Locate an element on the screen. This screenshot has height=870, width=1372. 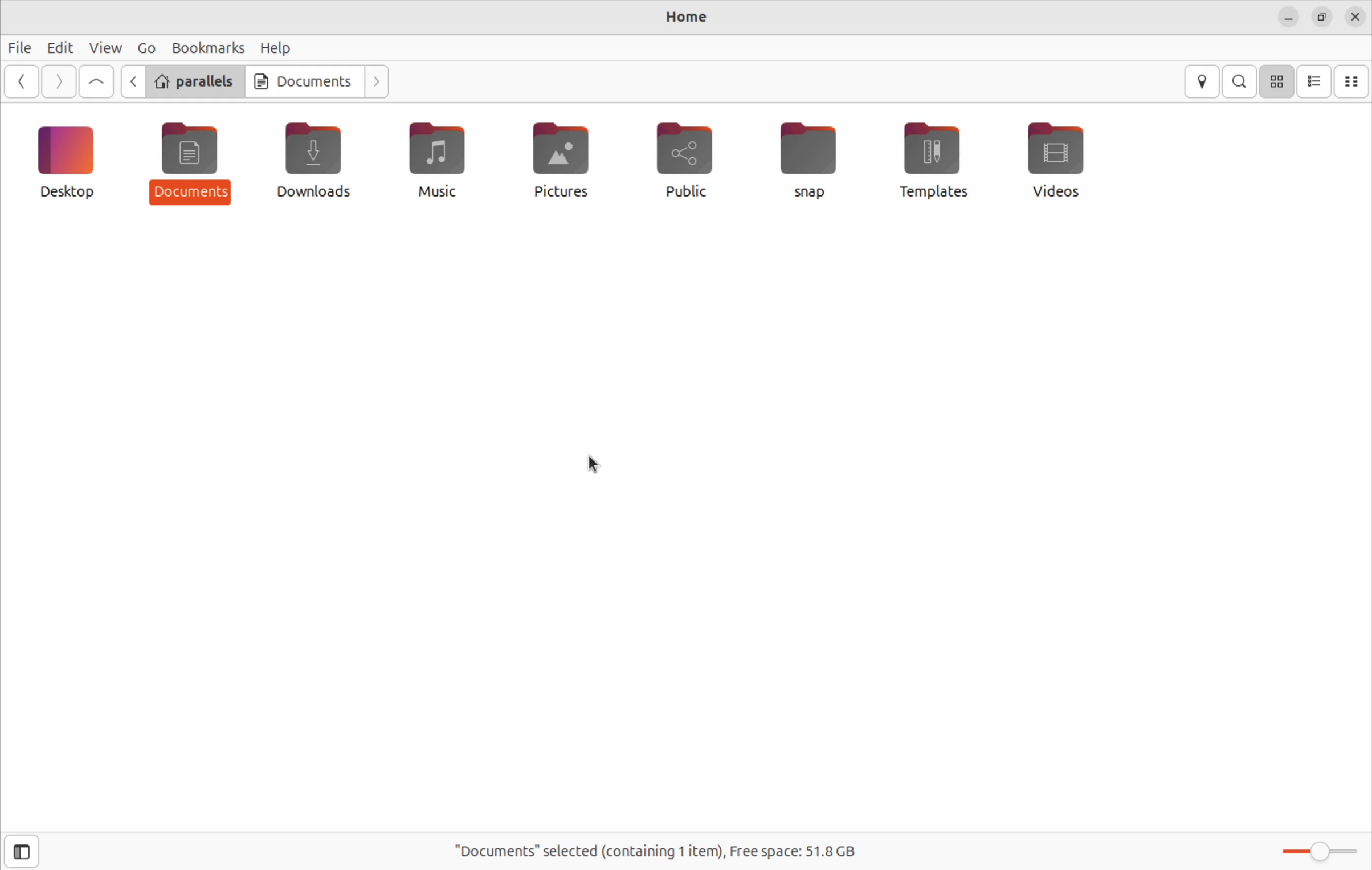
icon view is located at coordinates (1277, 80).